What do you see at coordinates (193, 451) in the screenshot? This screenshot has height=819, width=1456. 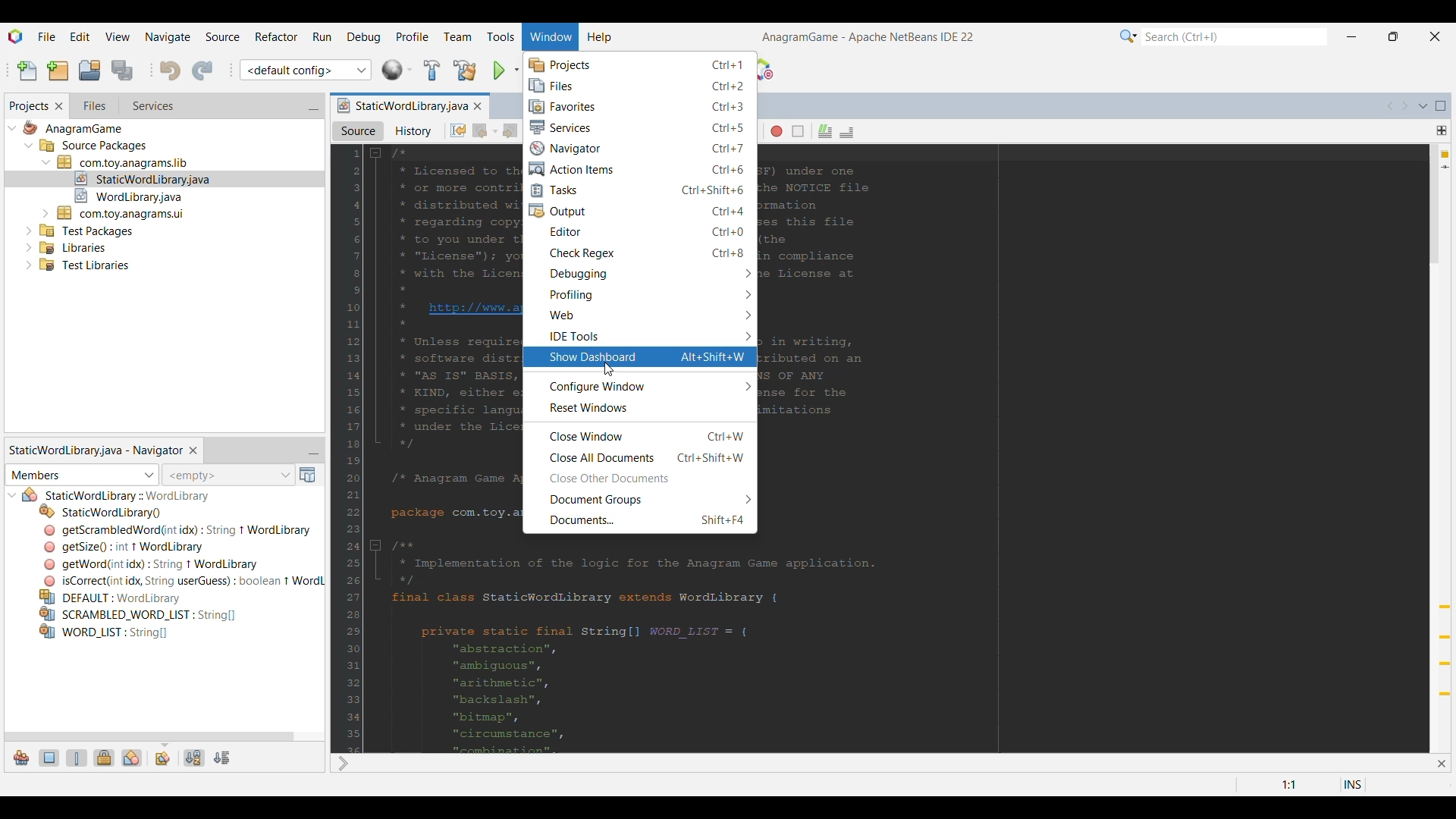 I see `Close current selection` at bounding box center [193, 451].